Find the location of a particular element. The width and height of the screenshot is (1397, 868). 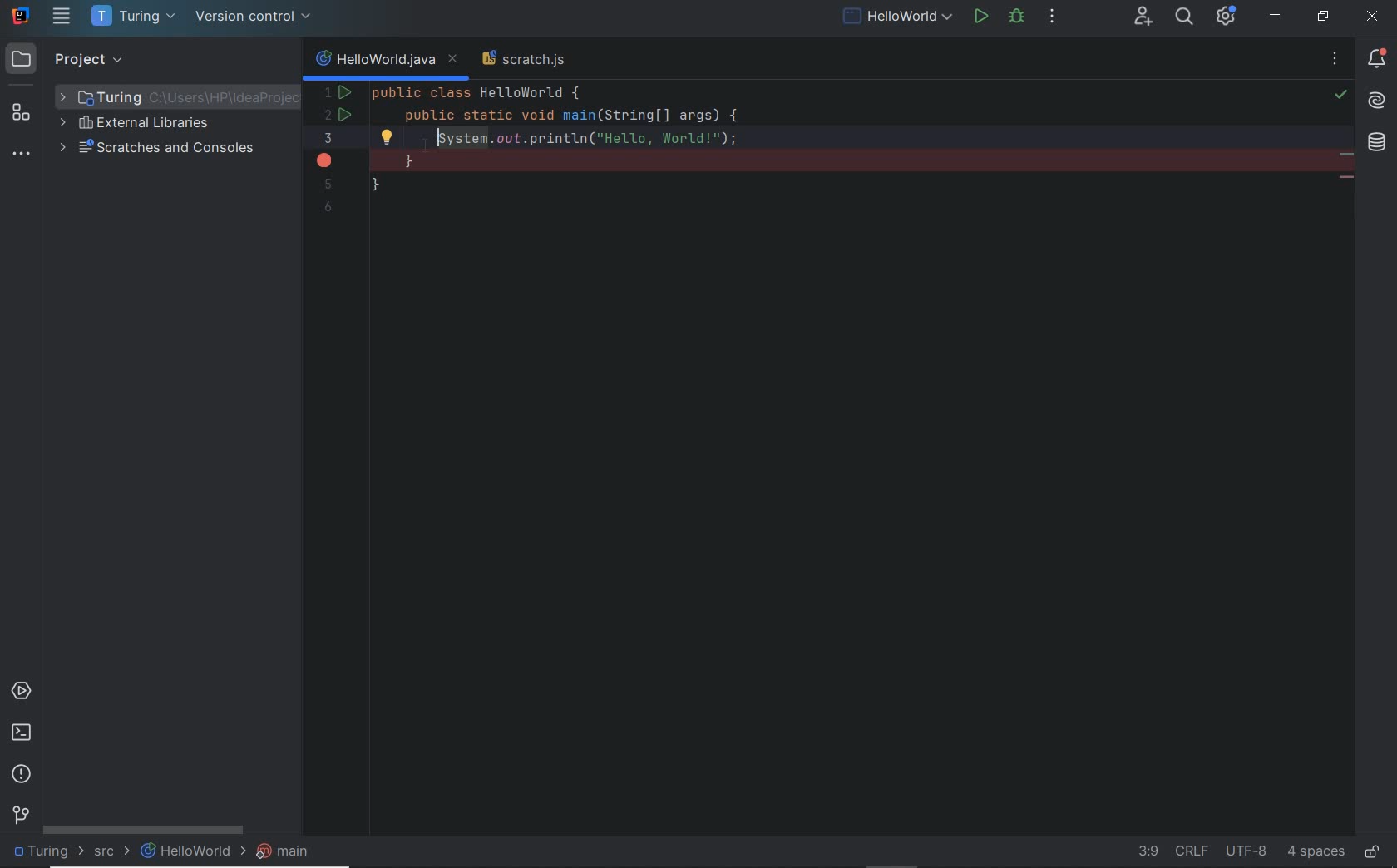

current file name is located at coordinates (385, 61).